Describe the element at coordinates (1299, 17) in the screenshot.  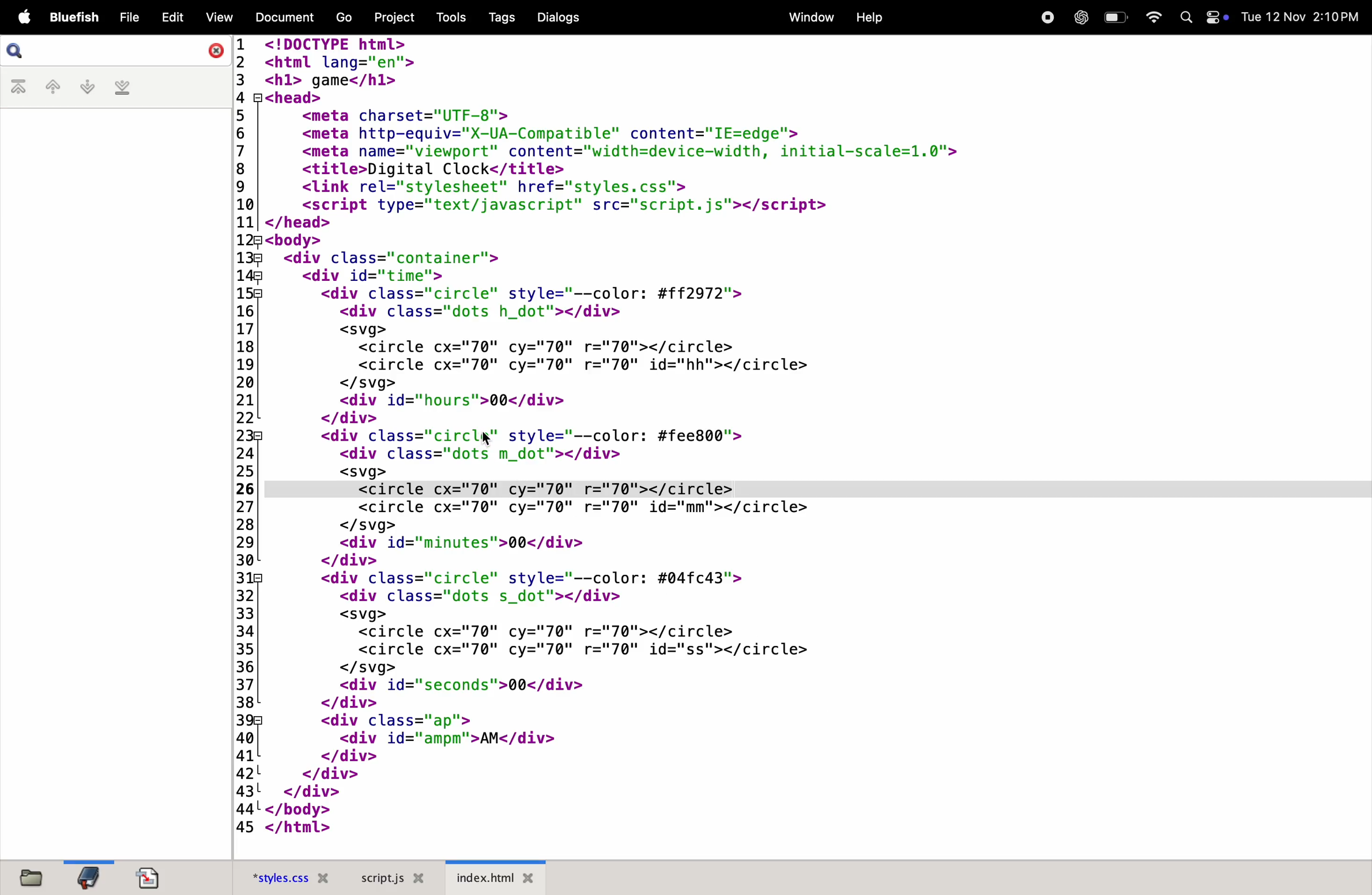
I see `date and time` at that location.